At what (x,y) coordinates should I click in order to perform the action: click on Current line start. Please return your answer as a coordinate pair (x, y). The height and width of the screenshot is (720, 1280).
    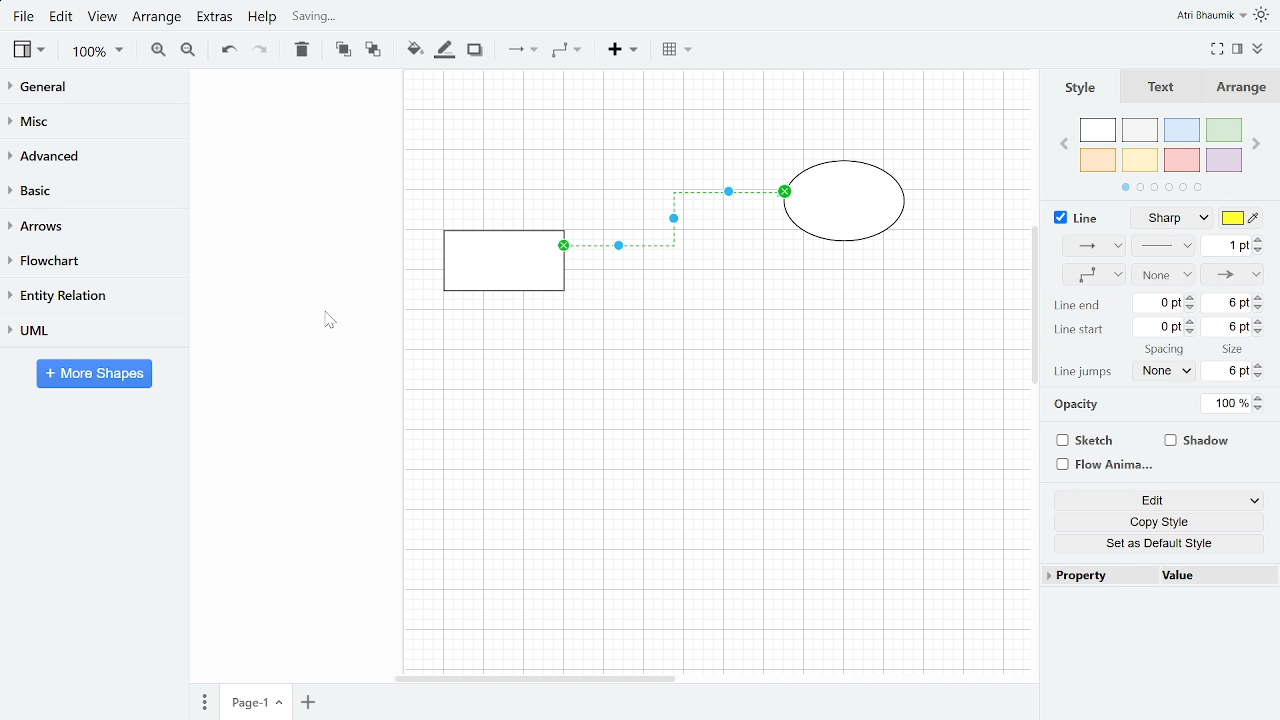
    Looking at the image, I should click on (1159, 328).